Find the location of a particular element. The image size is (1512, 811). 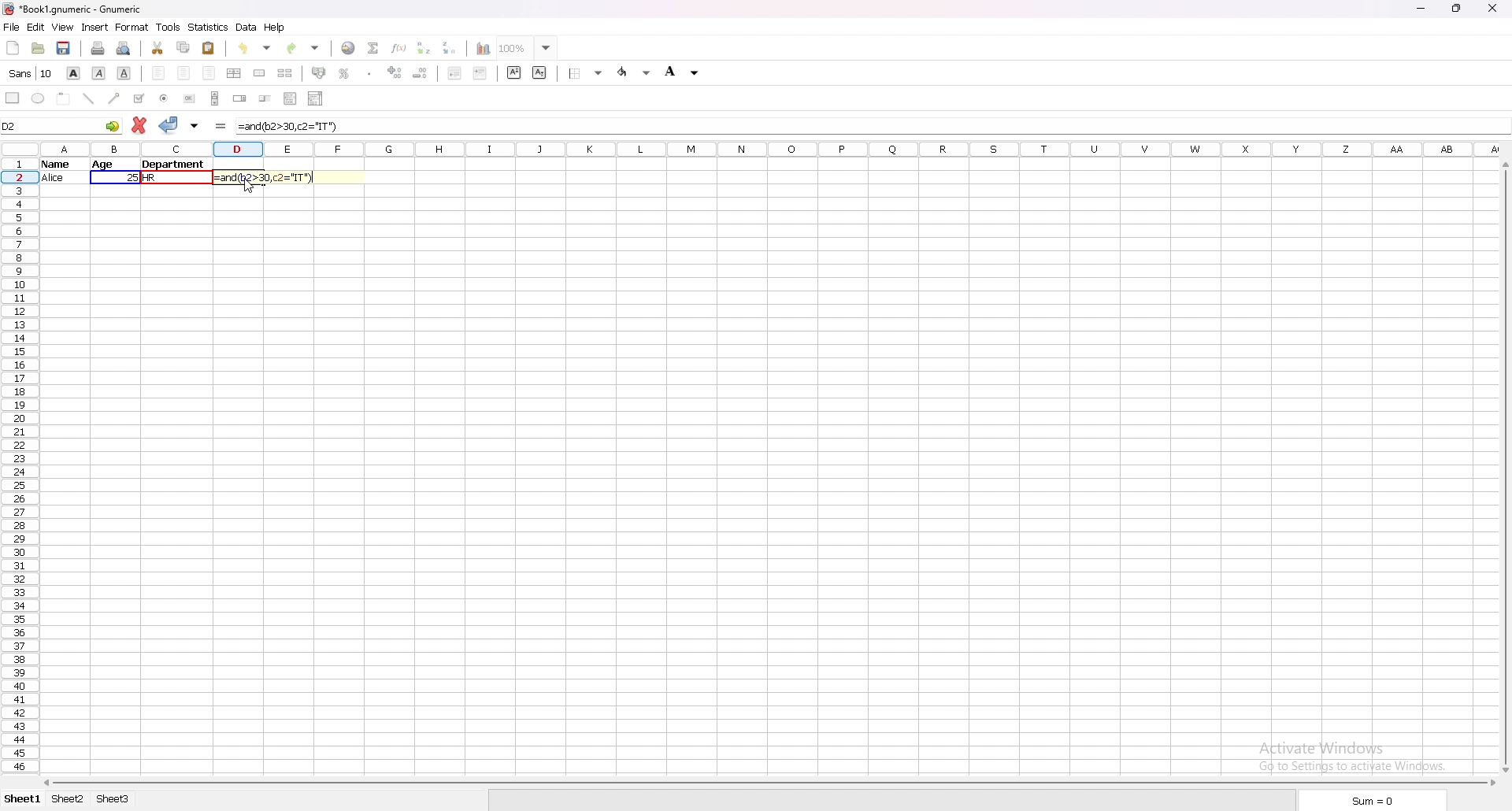

decrease indent is located at coordinates (454, 73).